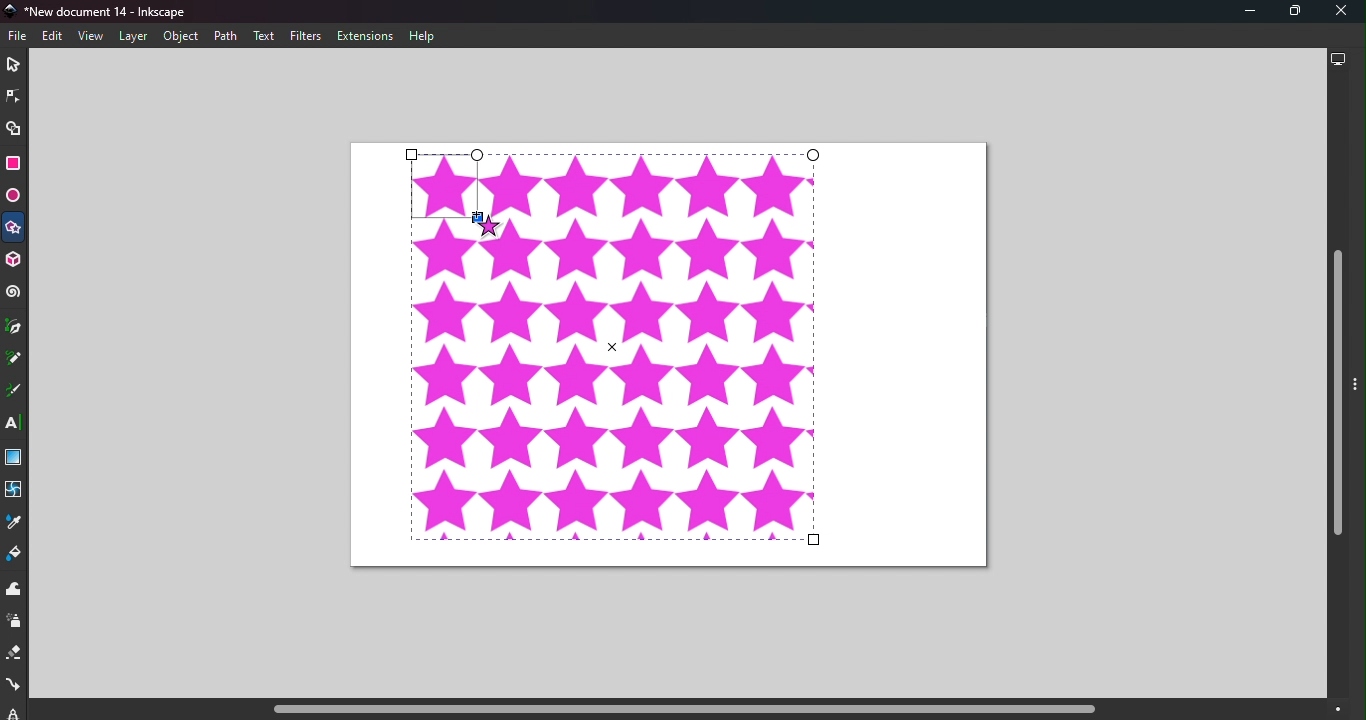 The height and width of the screenshot is (720, 1366). Describe the element at coordinates (16, 260) in the screenshot. I see `3D box tool` at that location.